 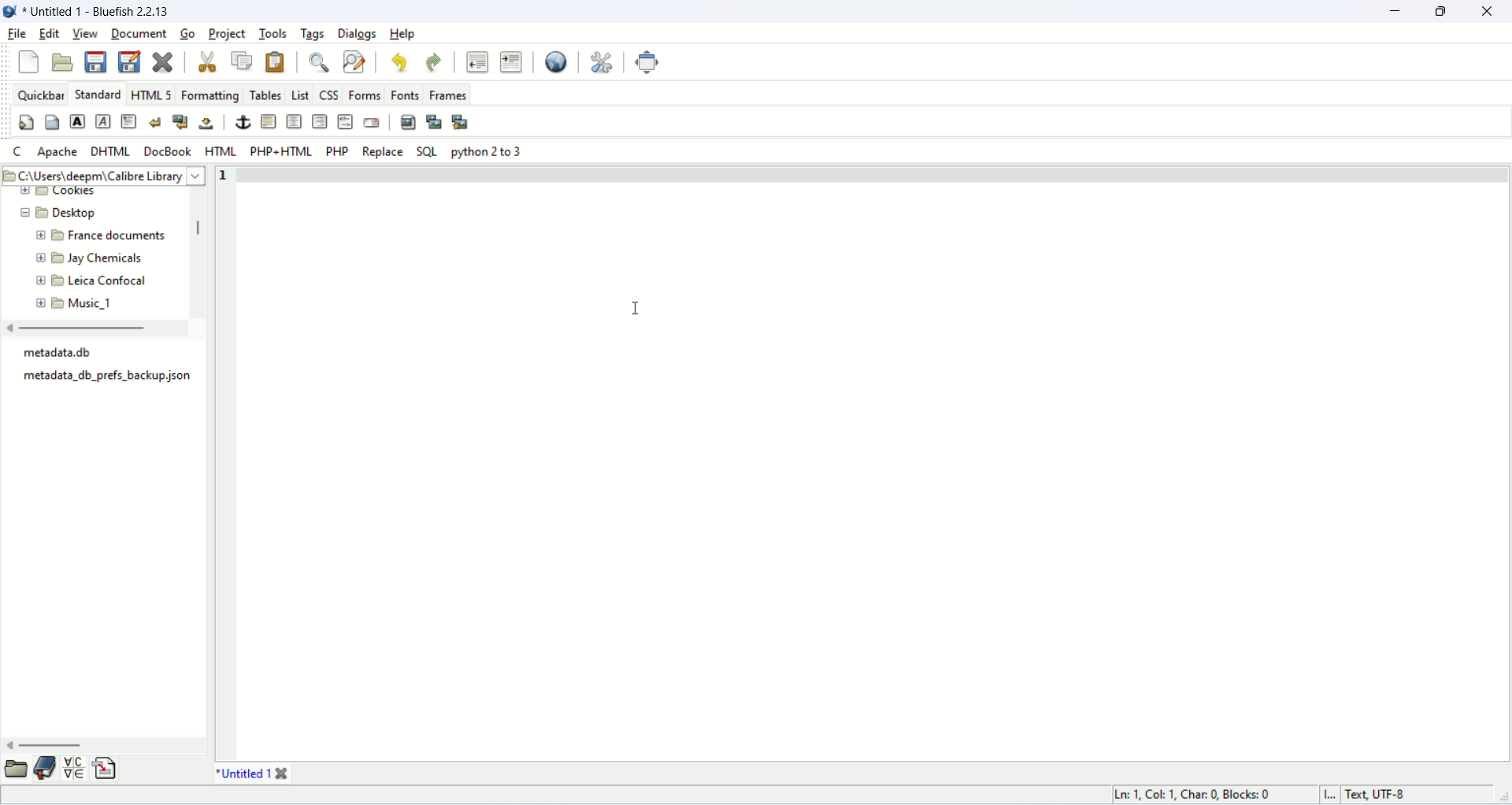 What do you see at coordinates (62, 62) in the screenshot?
I see `open file` at bounding box center [62, 62].